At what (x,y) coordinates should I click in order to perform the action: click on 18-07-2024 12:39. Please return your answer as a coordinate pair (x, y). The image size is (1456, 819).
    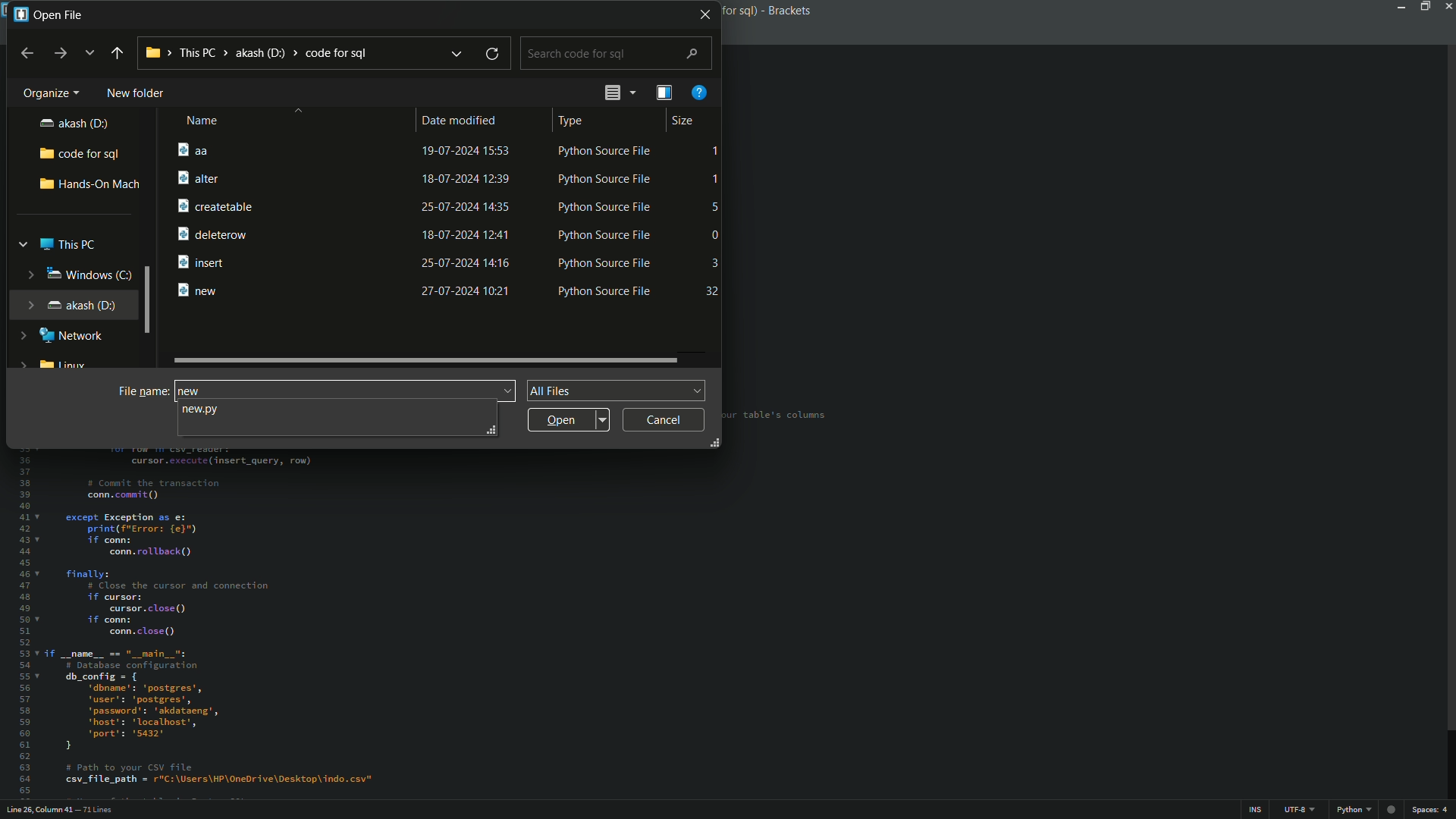
    Looking at the image, I should click on (463, 179).